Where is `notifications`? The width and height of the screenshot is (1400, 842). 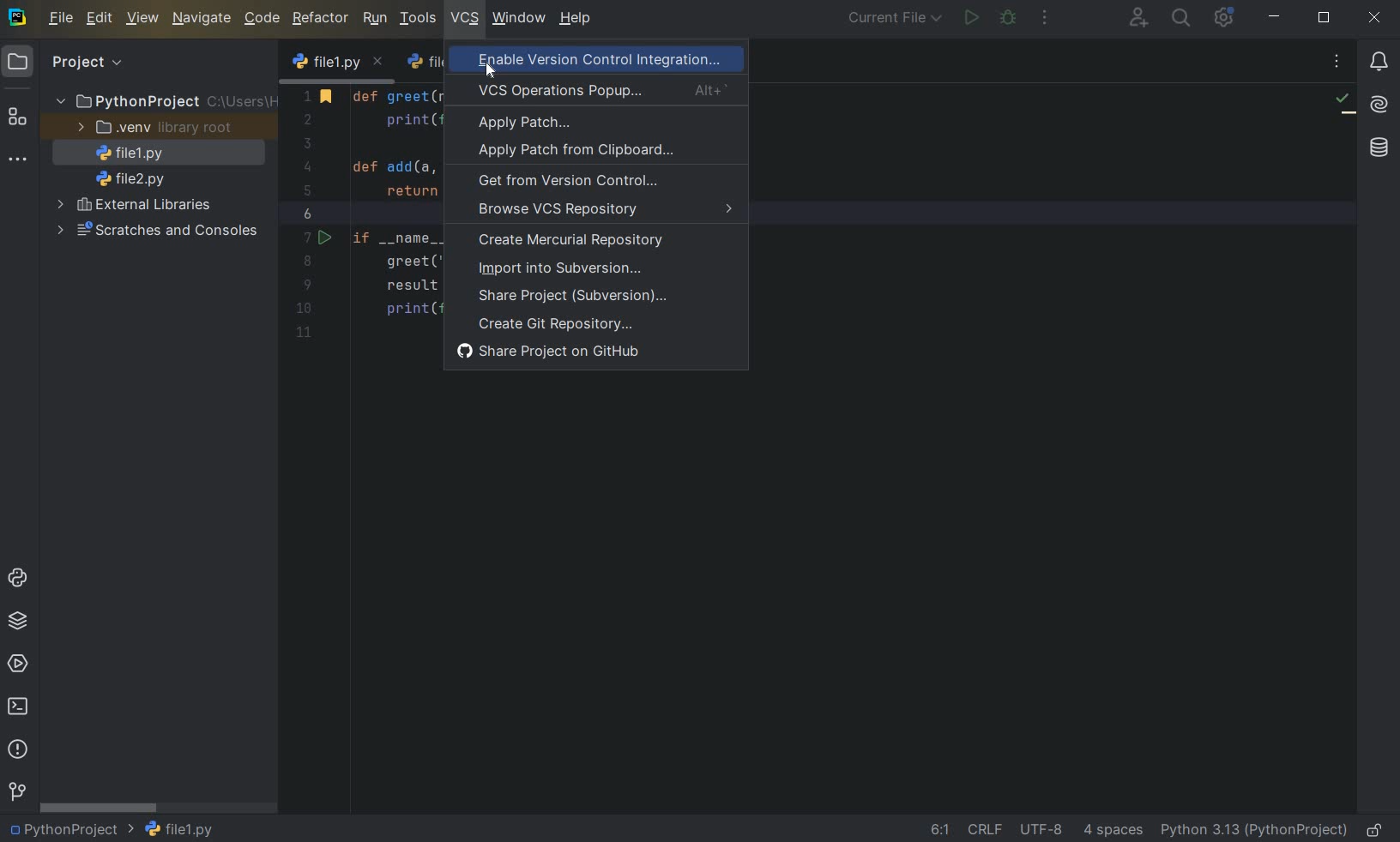
notifications is located at coordinates (1380, 62).